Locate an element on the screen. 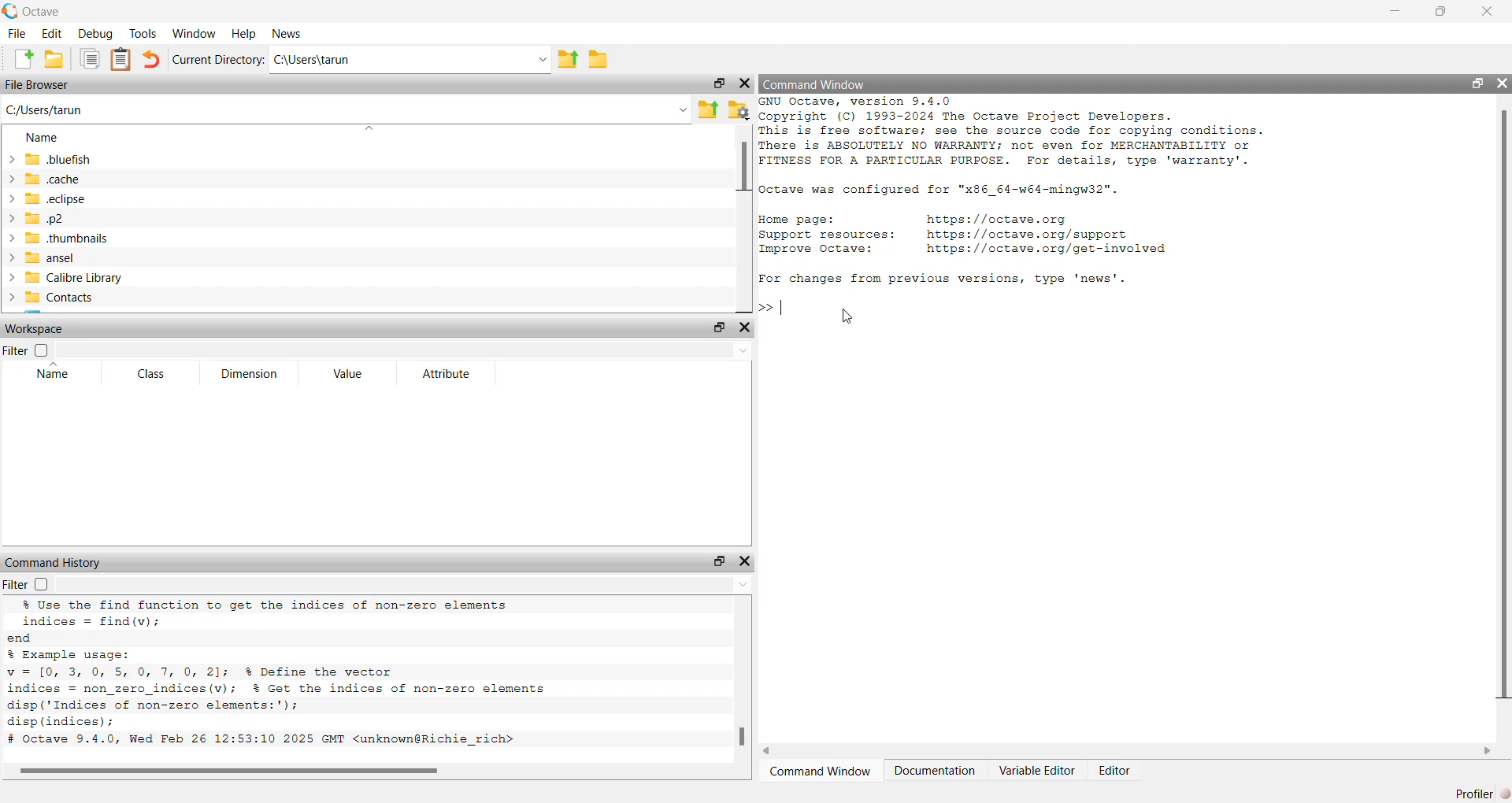 This screenshot has width=1512, height=803. Filter is located at coordinates (16, 585).